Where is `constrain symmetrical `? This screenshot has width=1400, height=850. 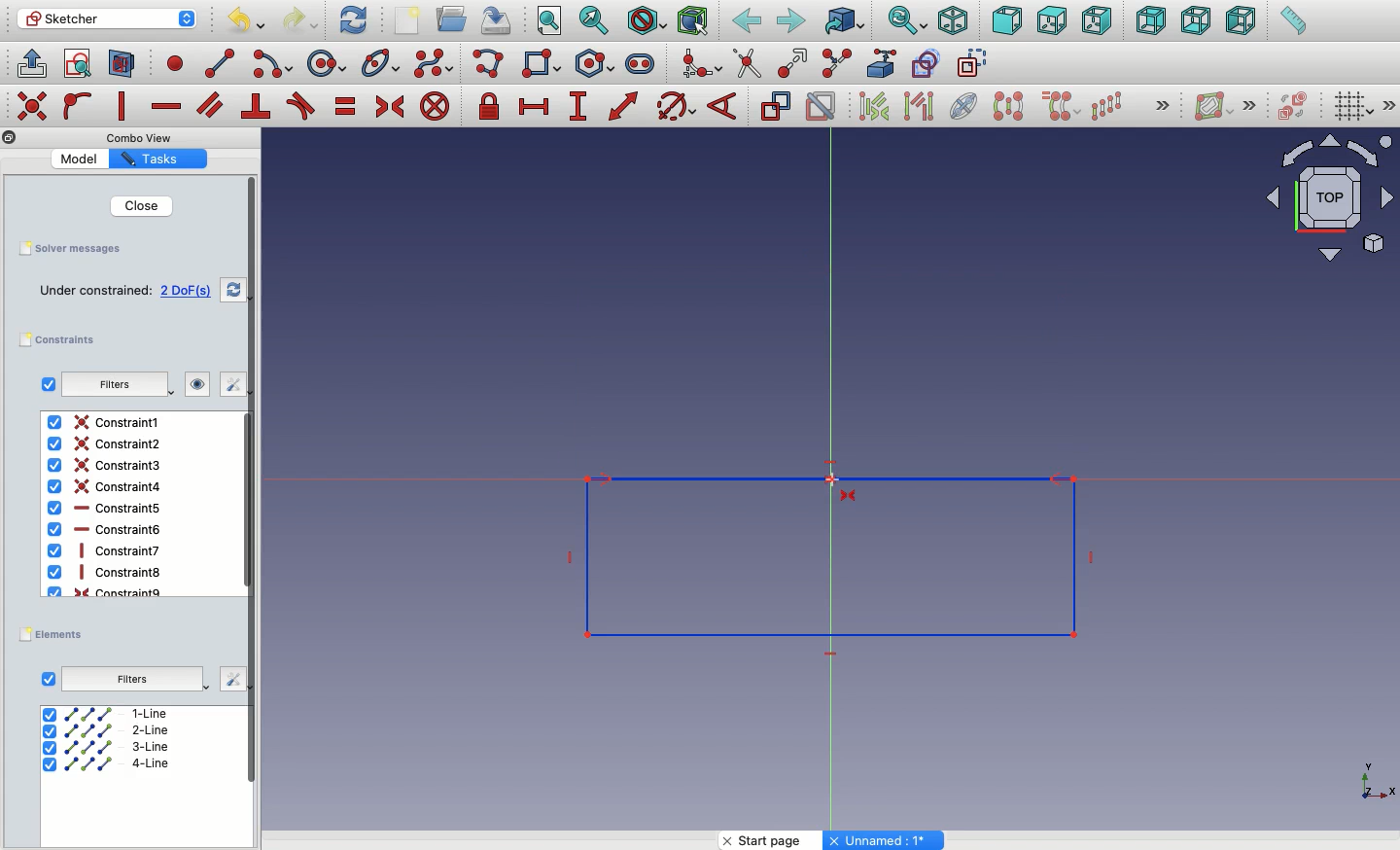 constrain symmetrical  is located at coordinates (389, 110).